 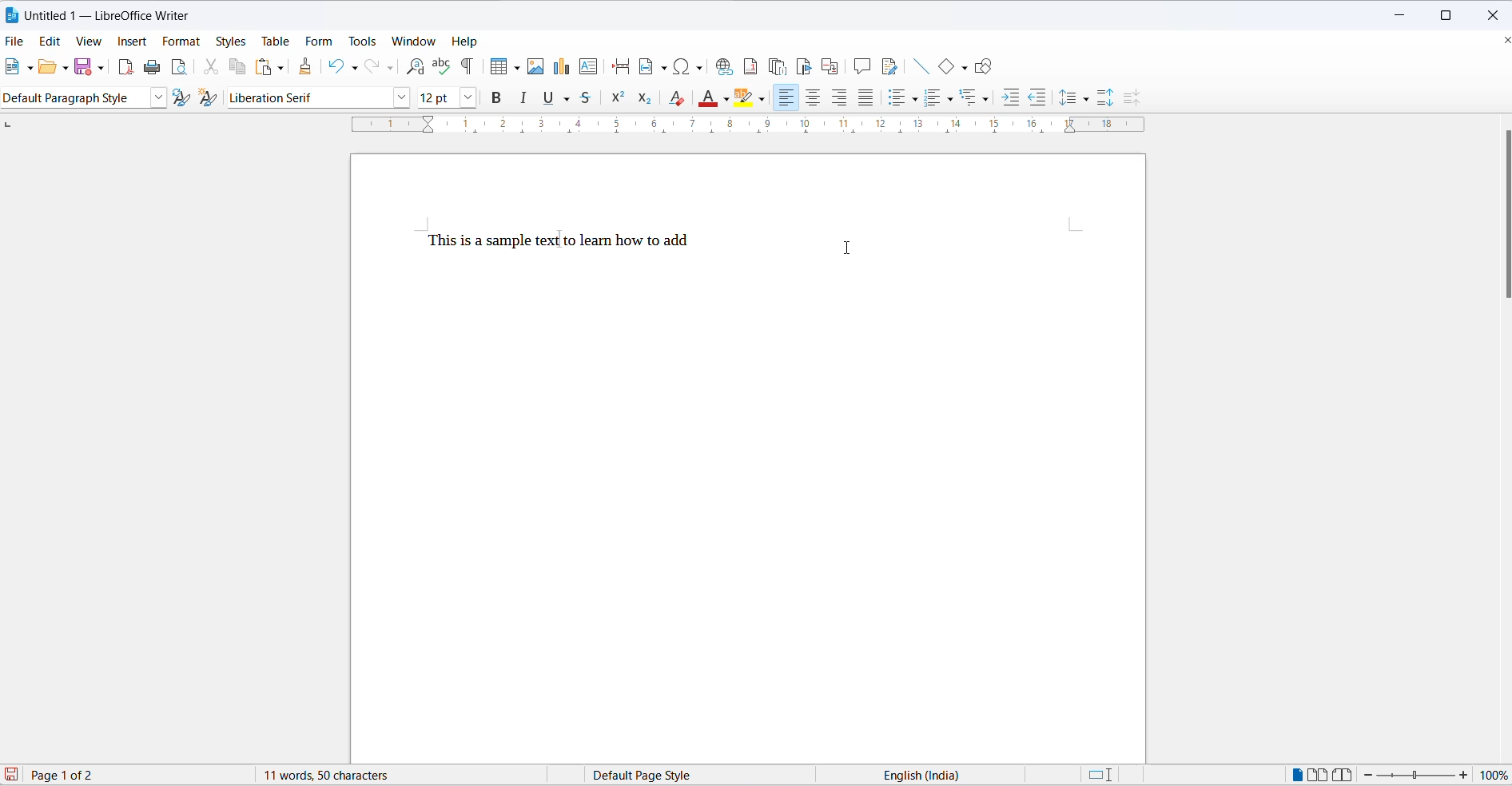 I want to click on text align left, so click(x=786, y=97).